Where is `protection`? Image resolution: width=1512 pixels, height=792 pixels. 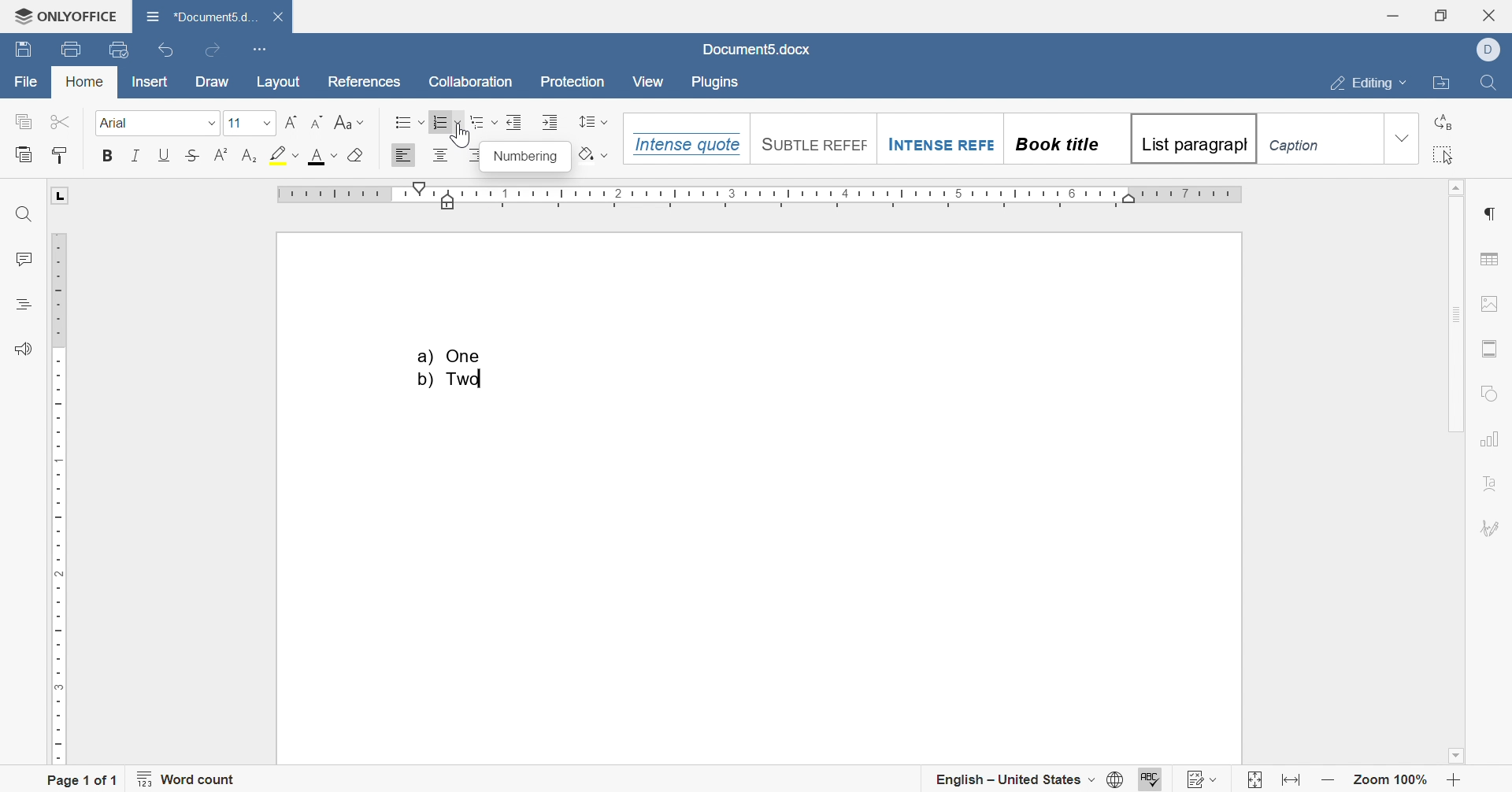 protection is located at coordinates (575, 83).